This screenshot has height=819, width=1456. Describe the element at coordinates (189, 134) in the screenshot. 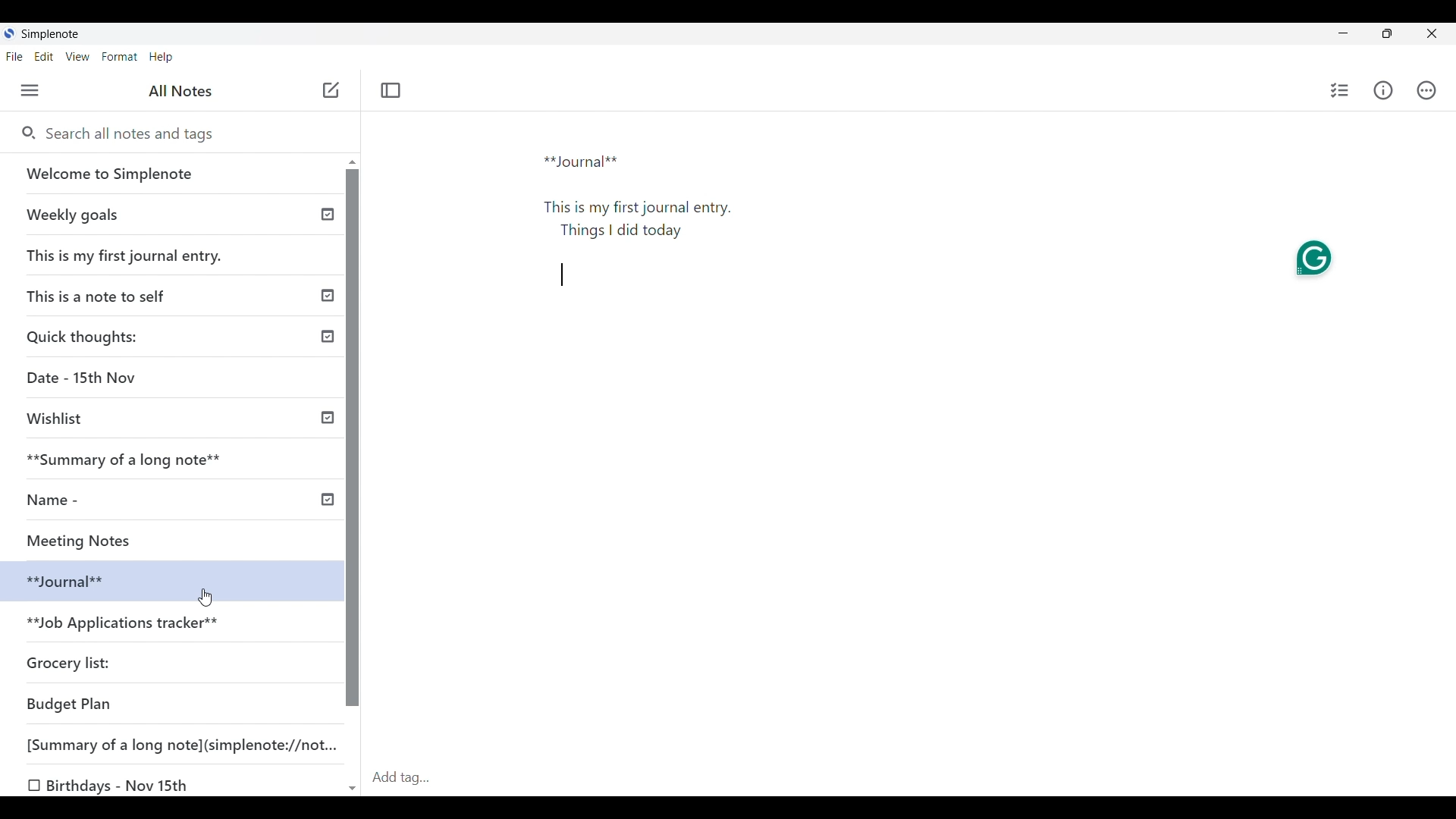

I see `Search all notes and tags` at that location.